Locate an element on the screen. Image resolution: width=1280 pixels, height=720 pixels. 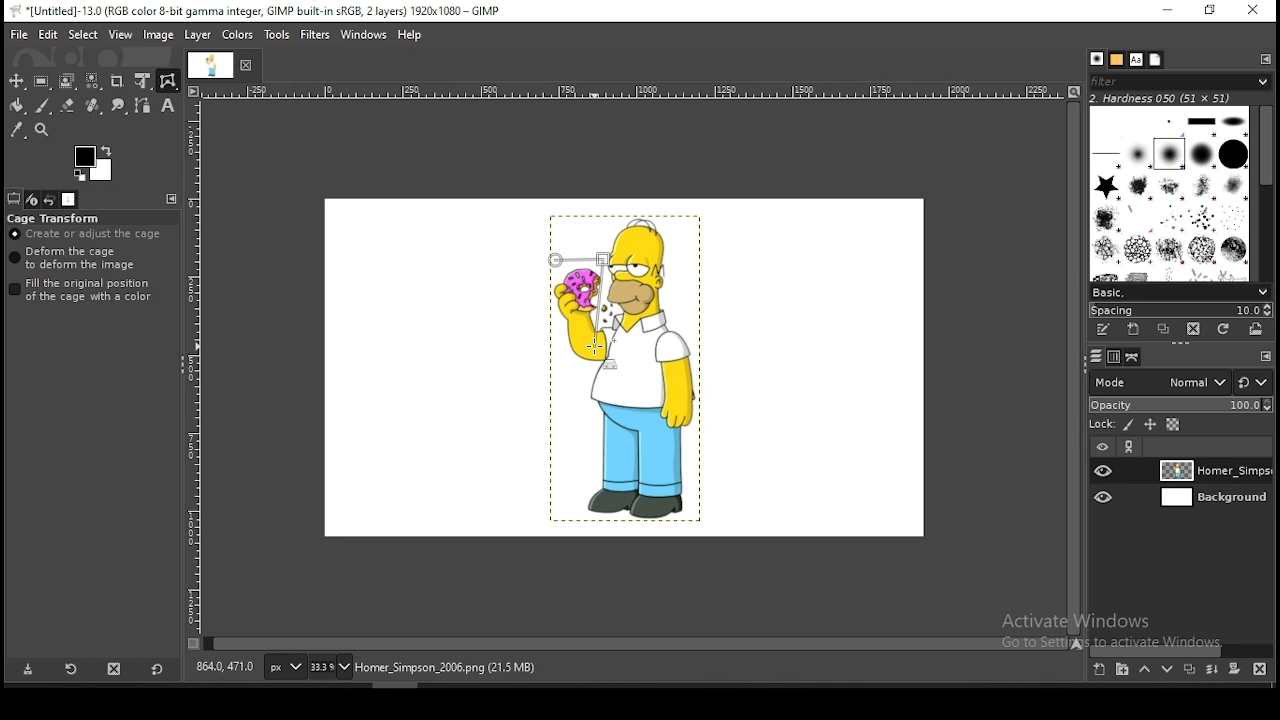
paths tool is located at coordinates (142, 105).